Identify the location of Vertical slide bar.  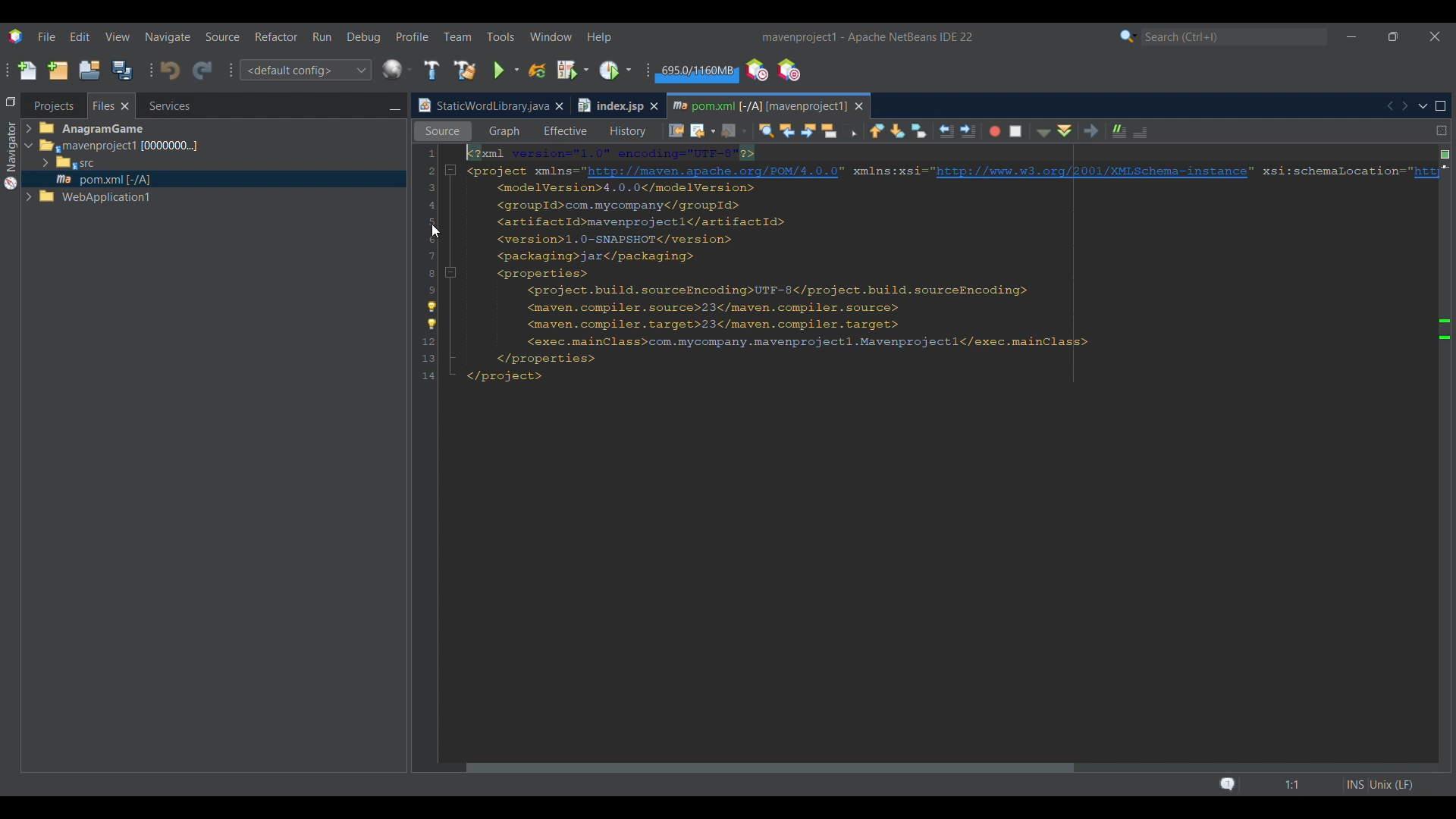
(1434, 457).